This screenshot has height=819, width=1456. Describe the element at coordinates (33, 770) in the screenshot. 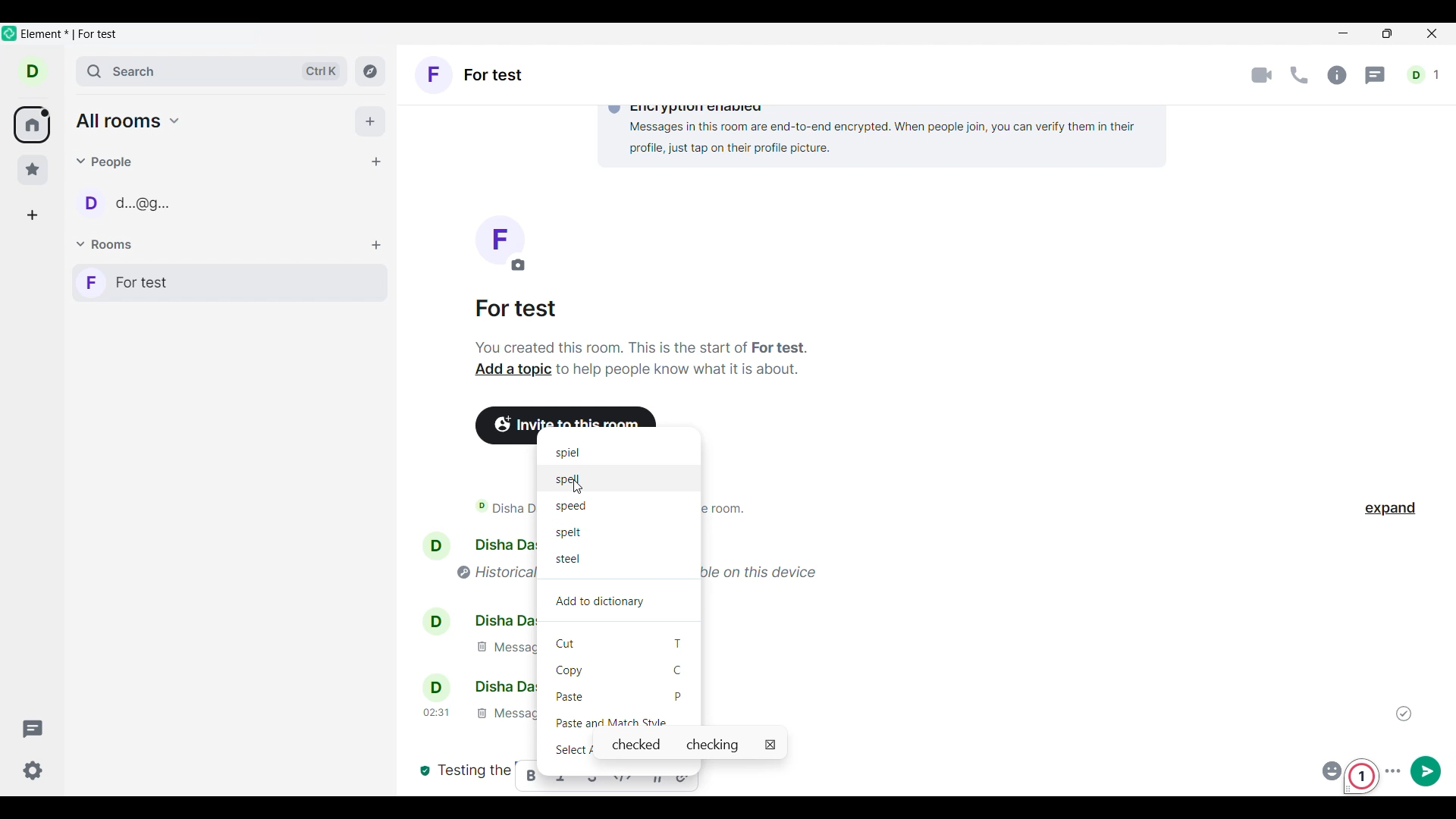

I see `Current settings` at that location.